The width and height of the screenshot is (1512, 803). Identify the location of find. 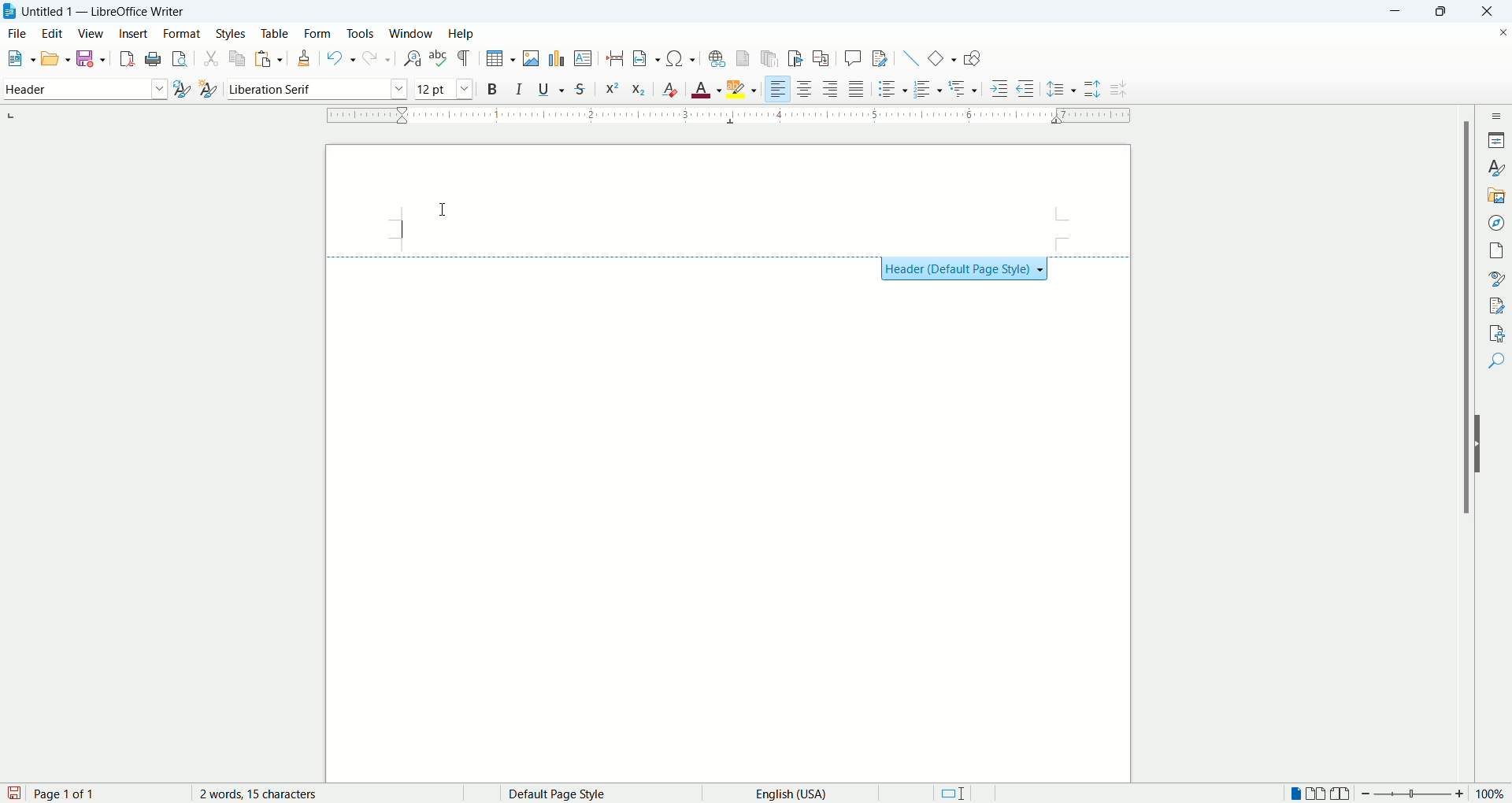
(1495, 362).